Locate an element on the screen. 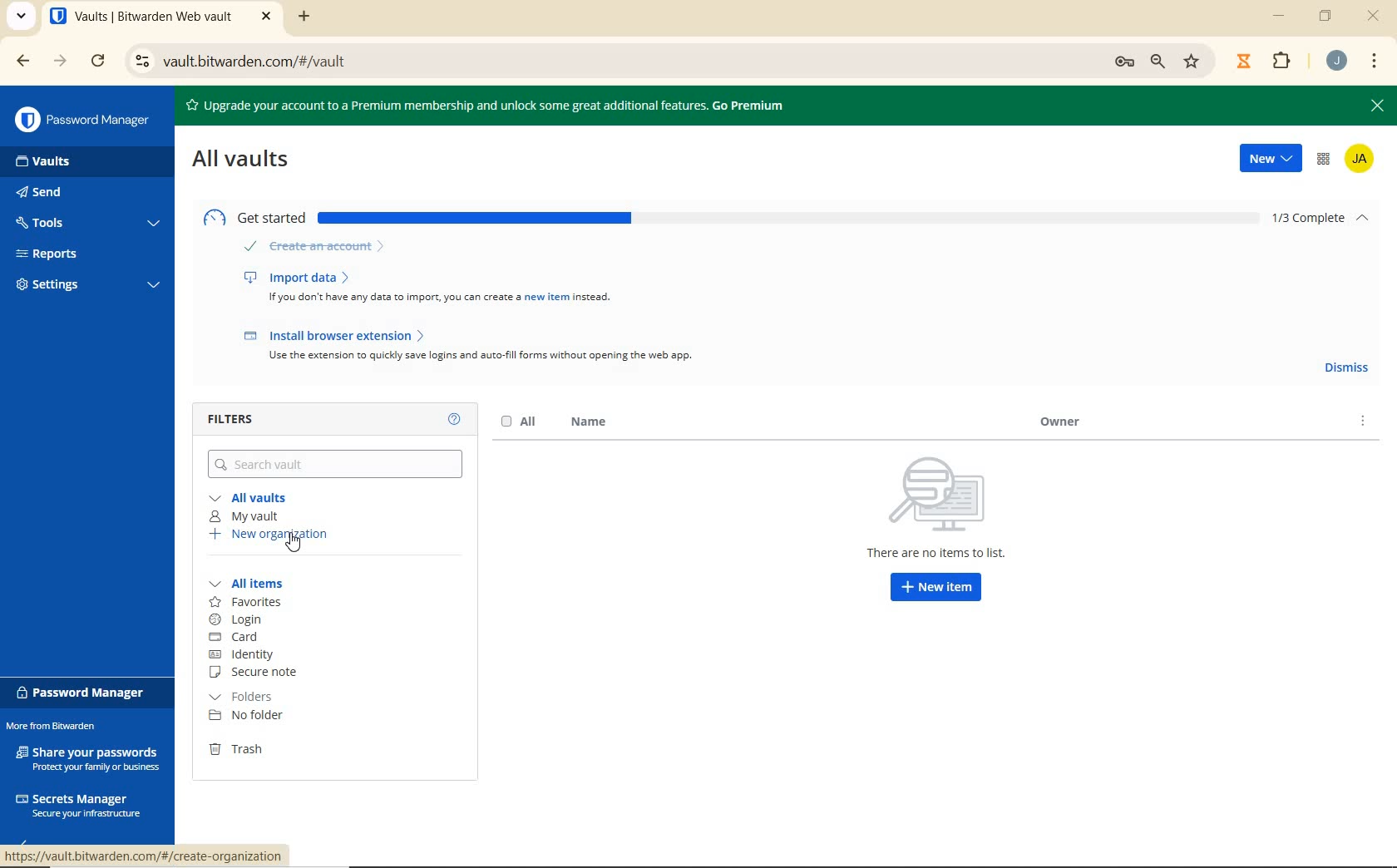  secure note is located at coordinates (260, 673).